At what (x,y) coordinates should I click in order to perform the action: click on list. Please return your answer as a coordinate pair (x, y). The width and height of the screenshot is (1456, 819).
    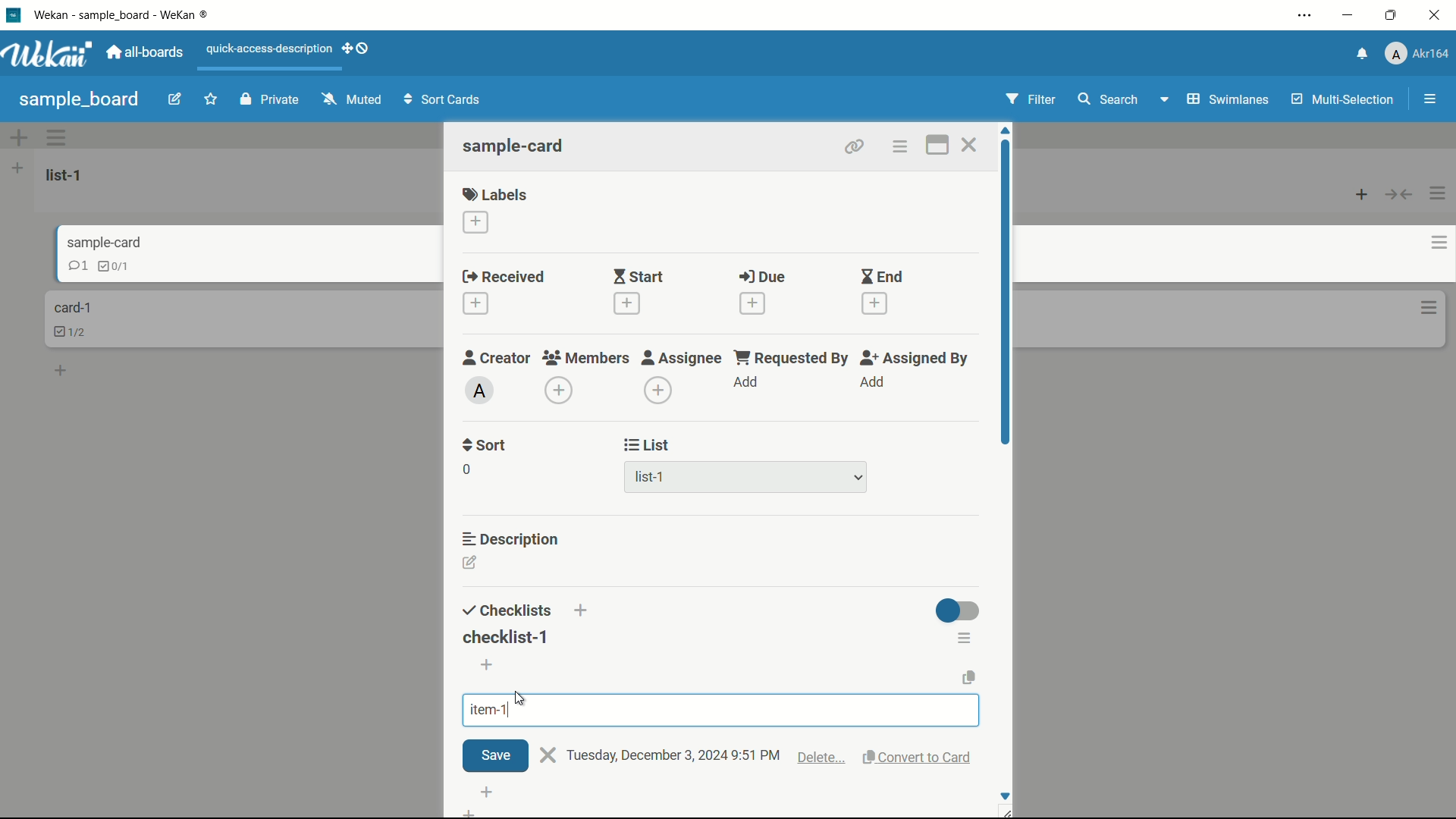
    Looking at the image, I should click on (649, 445).